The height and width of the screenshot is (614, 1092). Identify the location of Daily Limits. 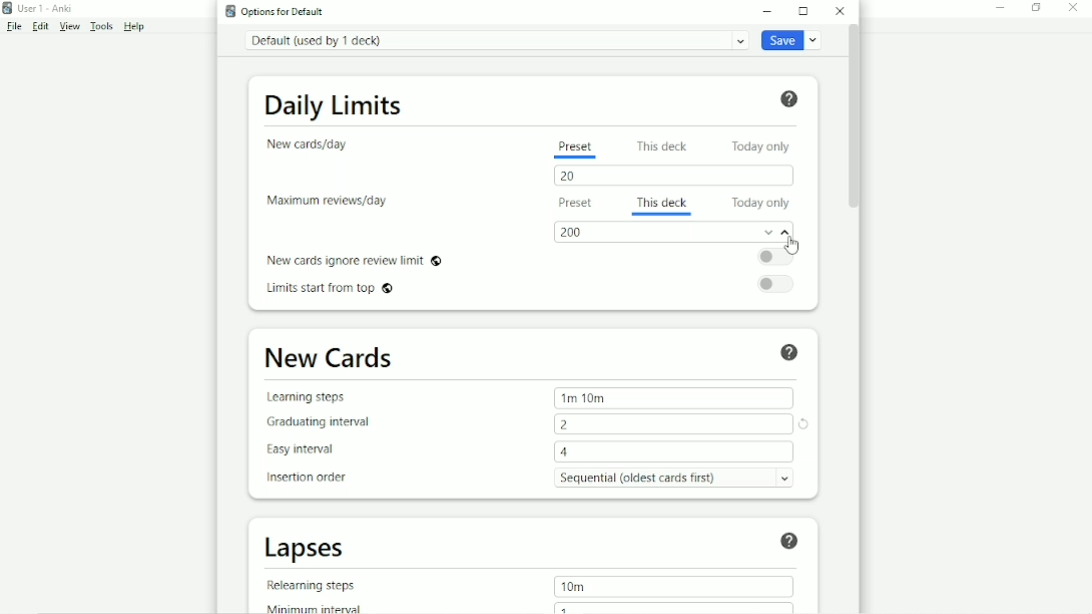
(334, 103).